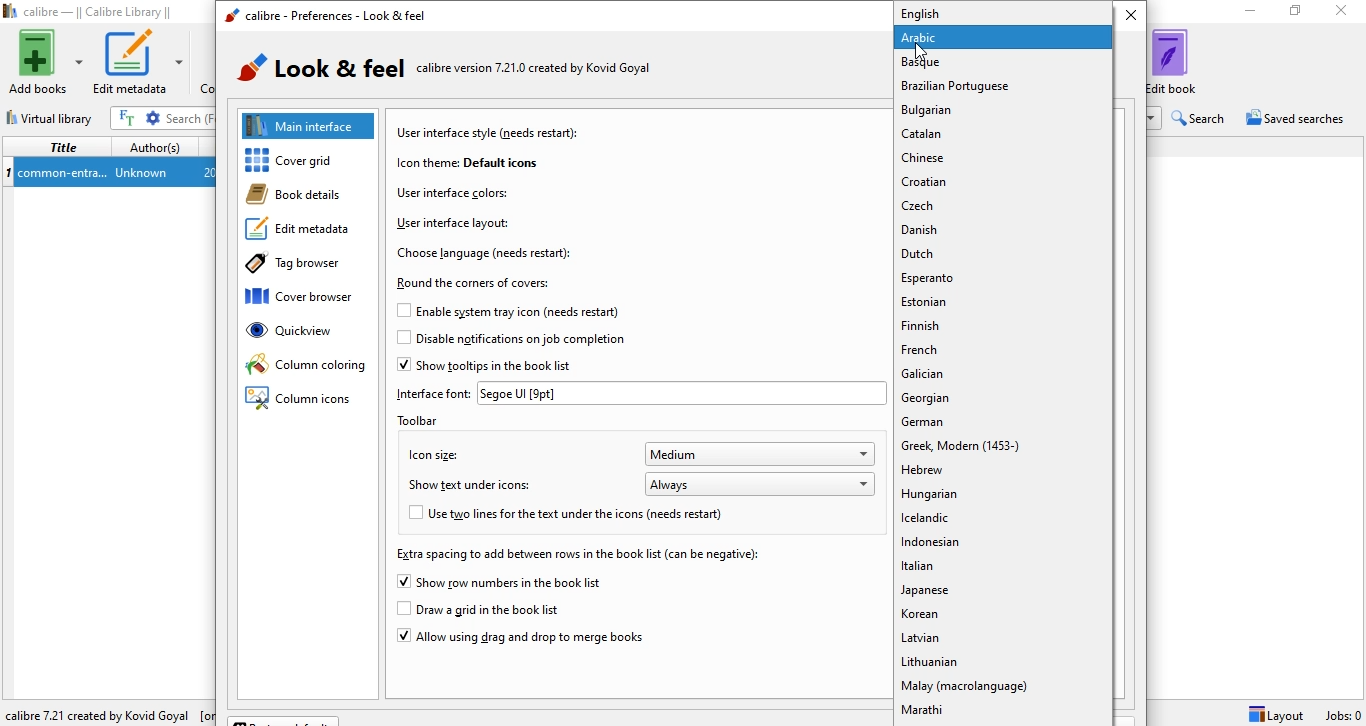  I want to click on marathi, so click(1001, 714).